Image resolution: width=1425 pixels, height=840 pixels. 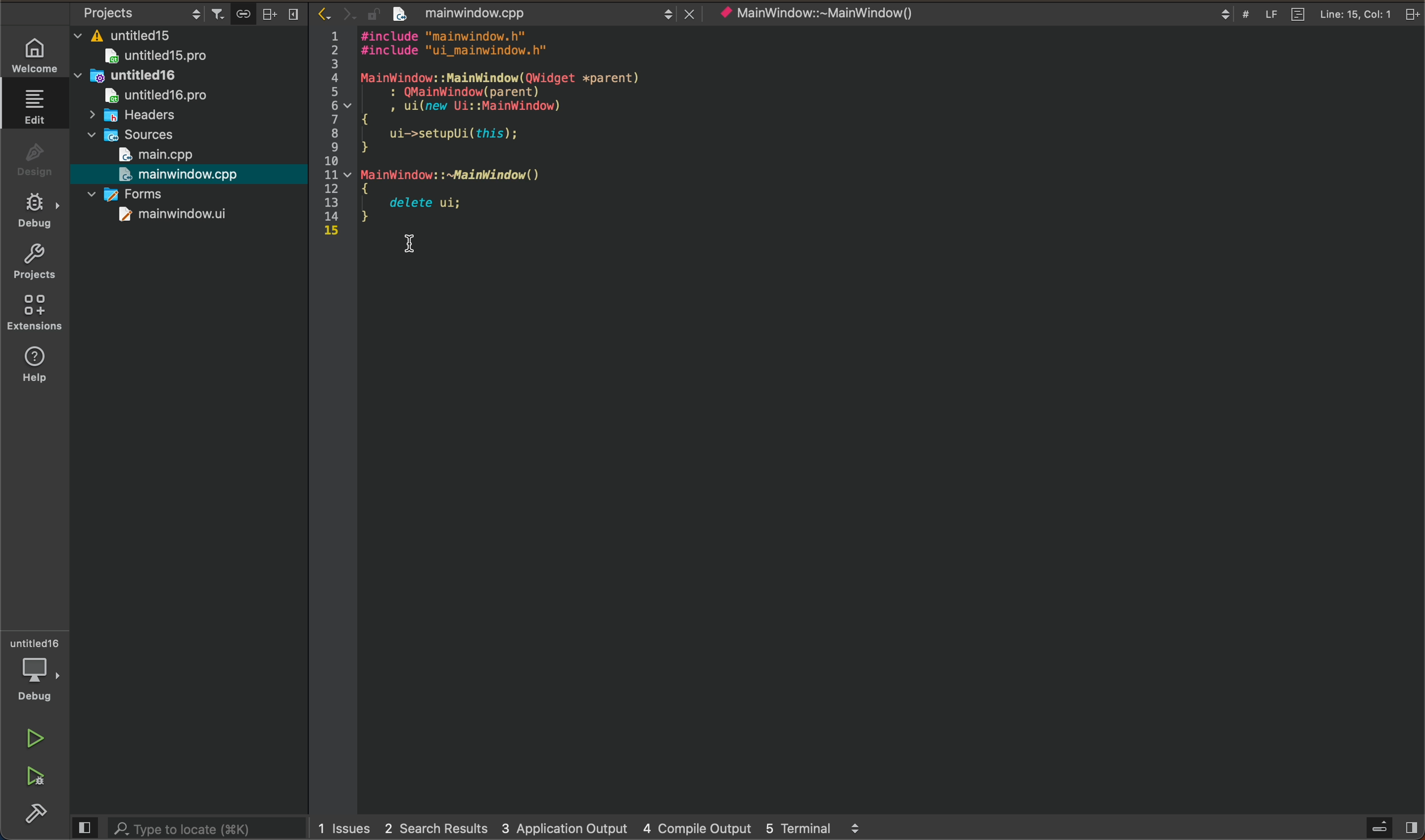 I want to click on debug, so click(x=32, y=209).